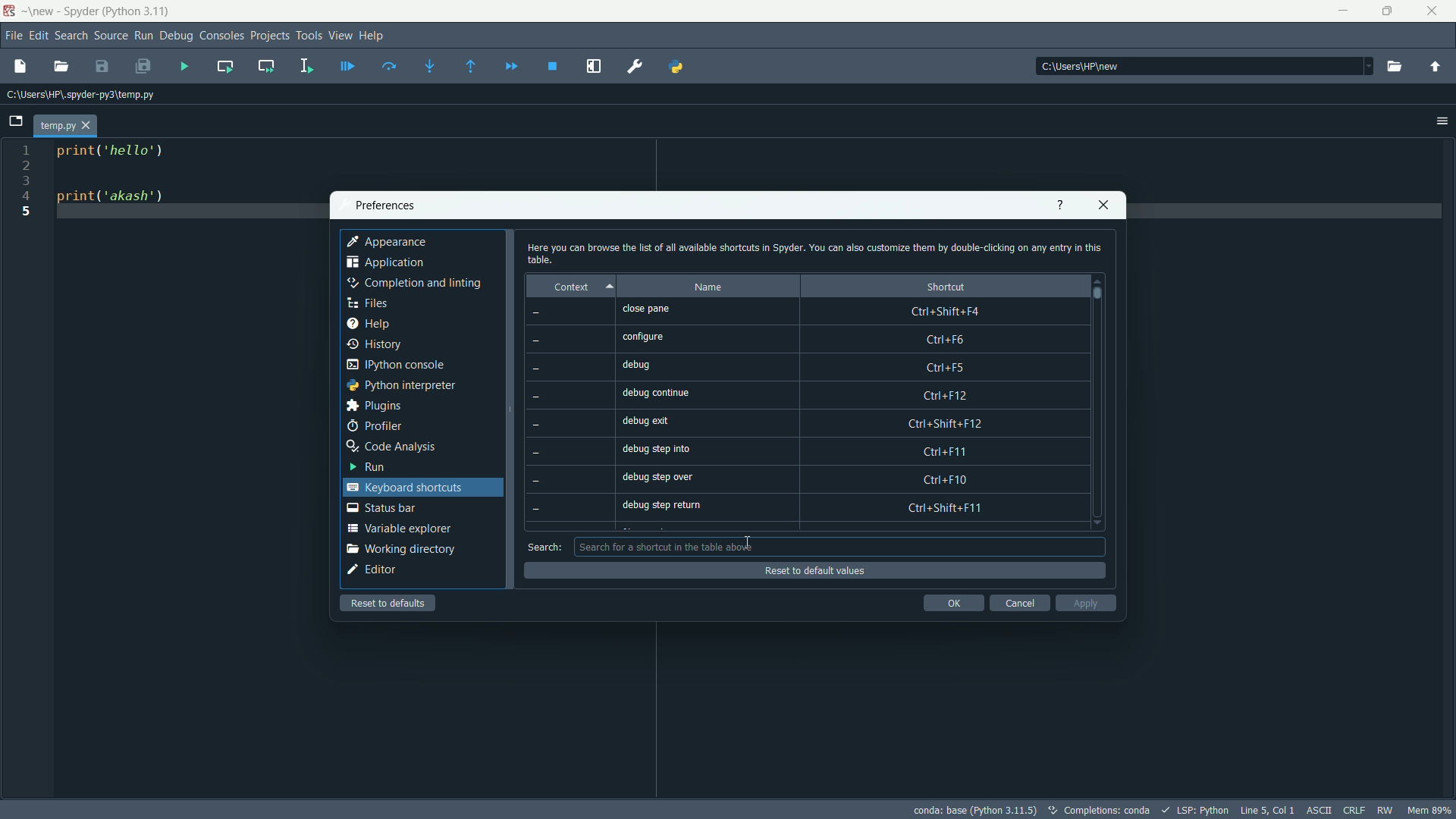  I want to click on python interpreter , so click(400, 385).